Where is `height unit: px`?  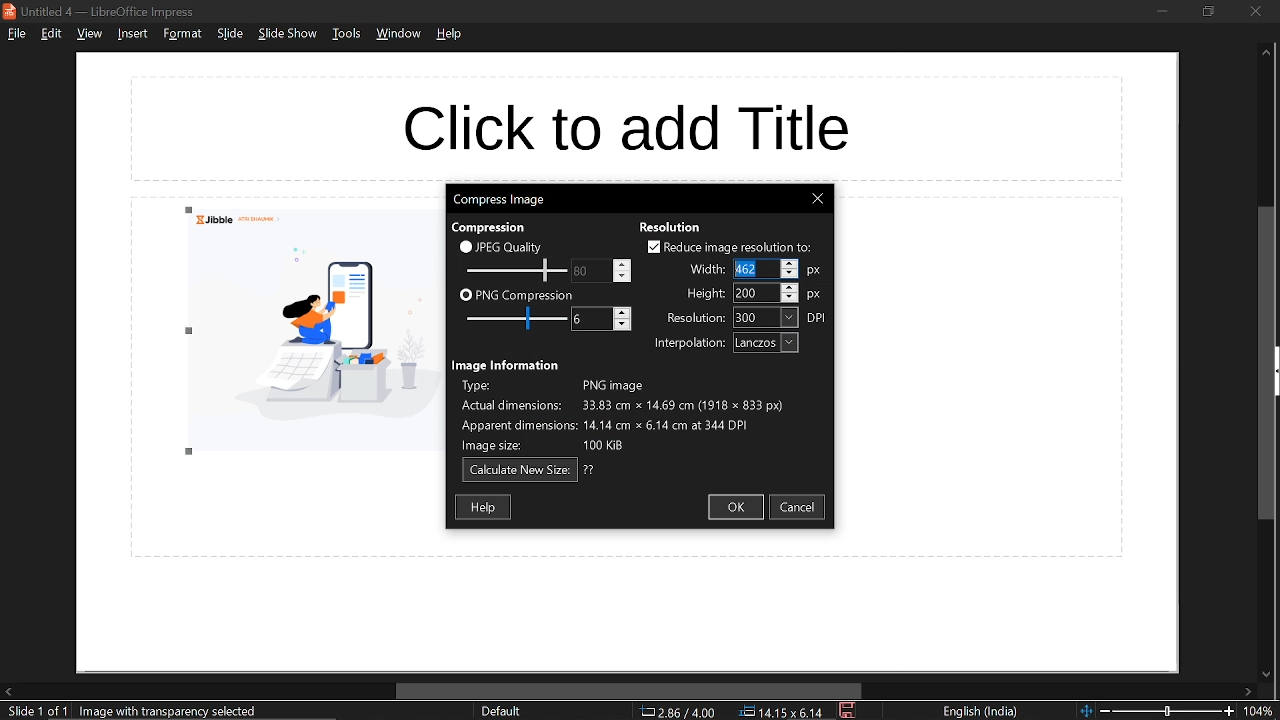 height unit: px is located at coordinates (815, 296).